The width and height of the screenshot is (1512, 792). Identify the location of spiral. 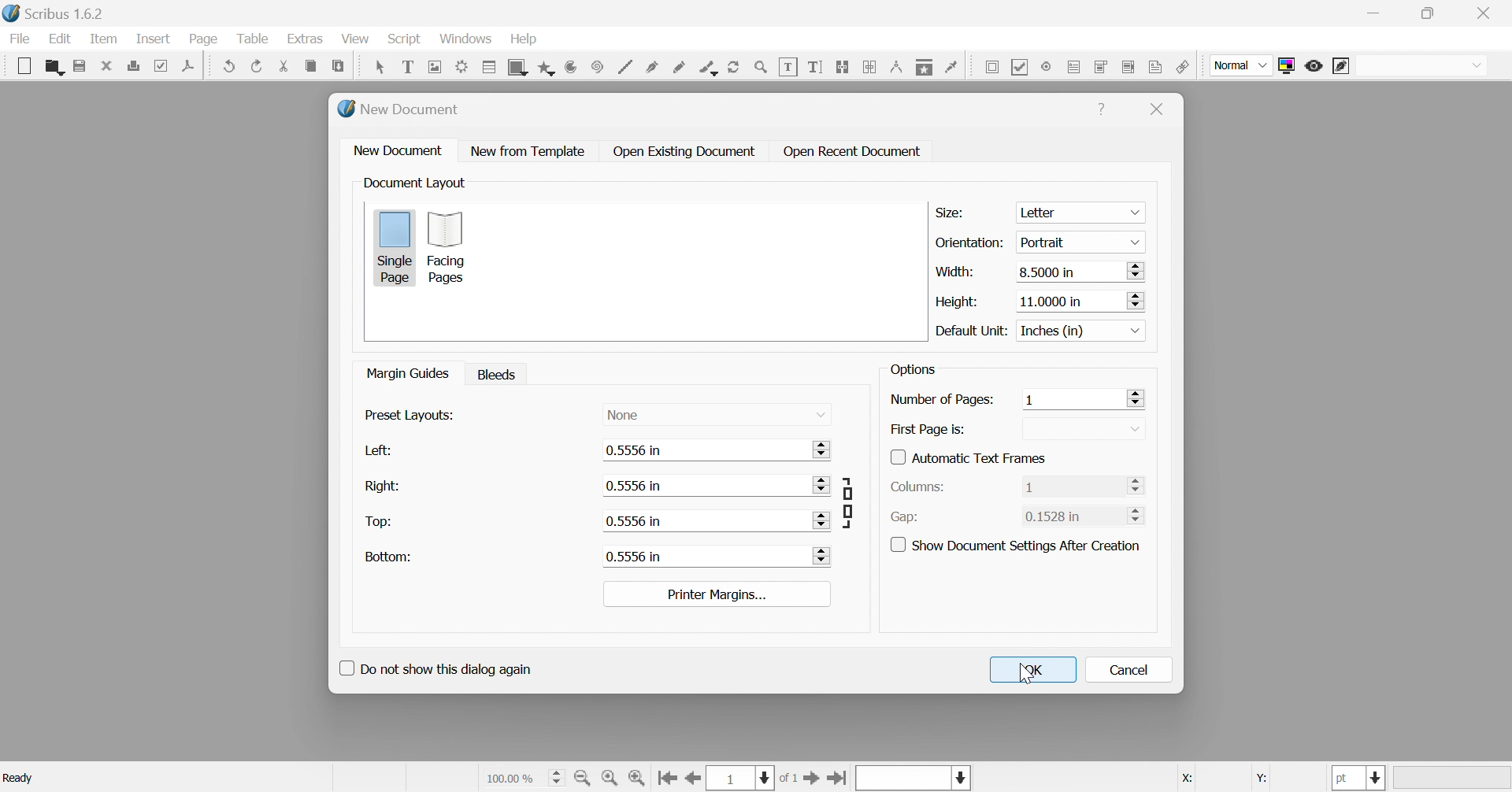
(596, 65).